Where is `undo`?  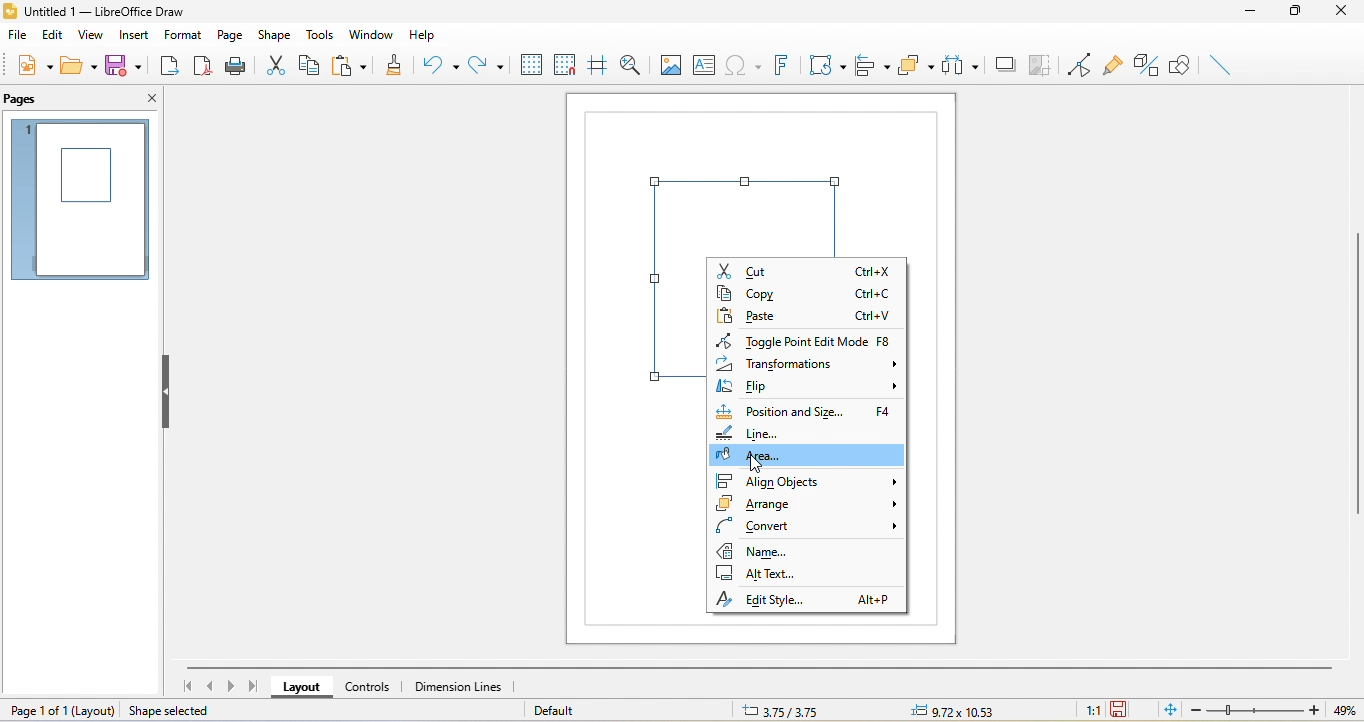 undo is located at coordinates (442, 65).